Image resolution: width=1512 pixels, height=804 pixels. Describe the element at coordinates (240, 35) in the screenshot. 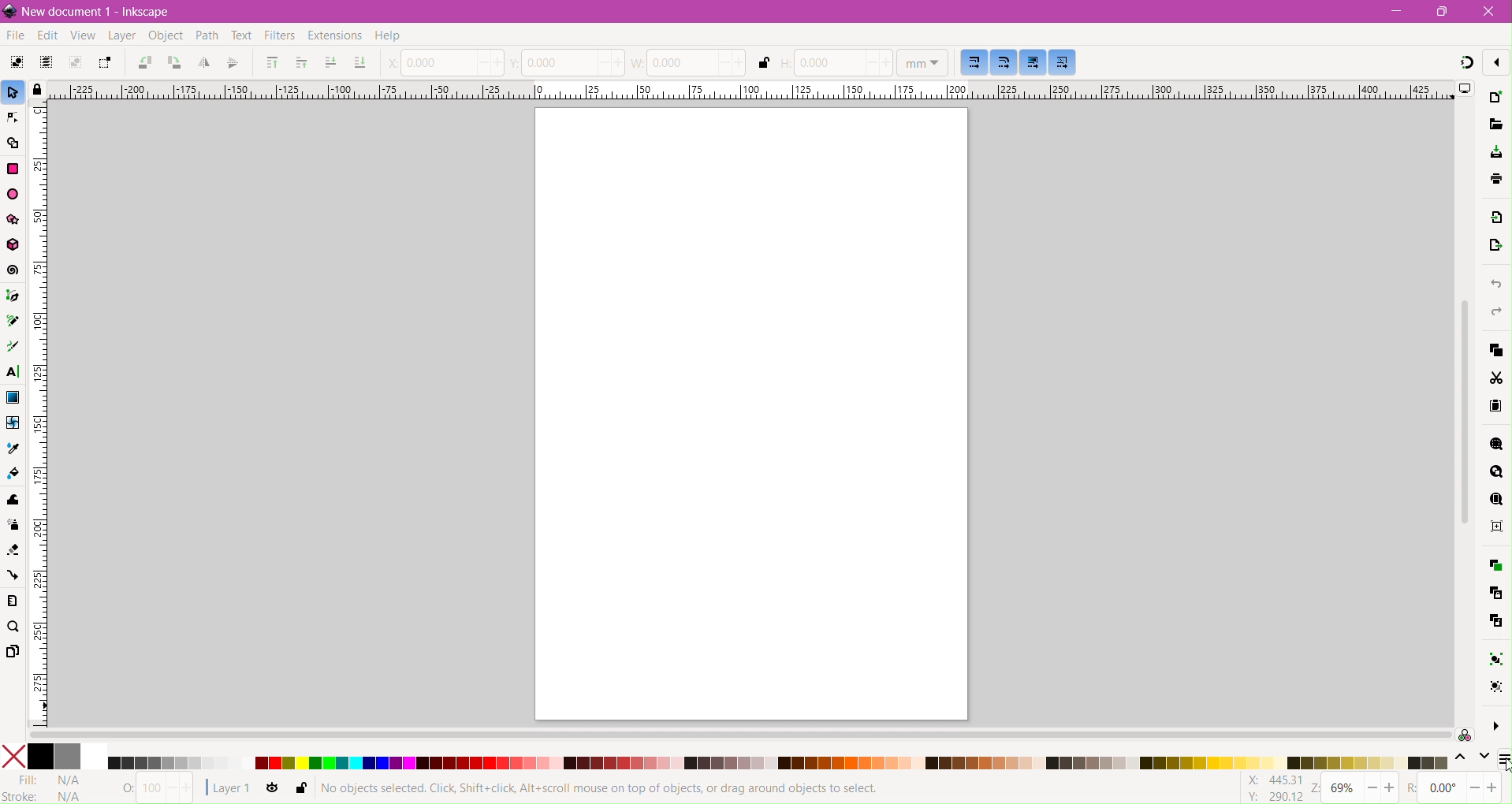

I see `Text` at that location.